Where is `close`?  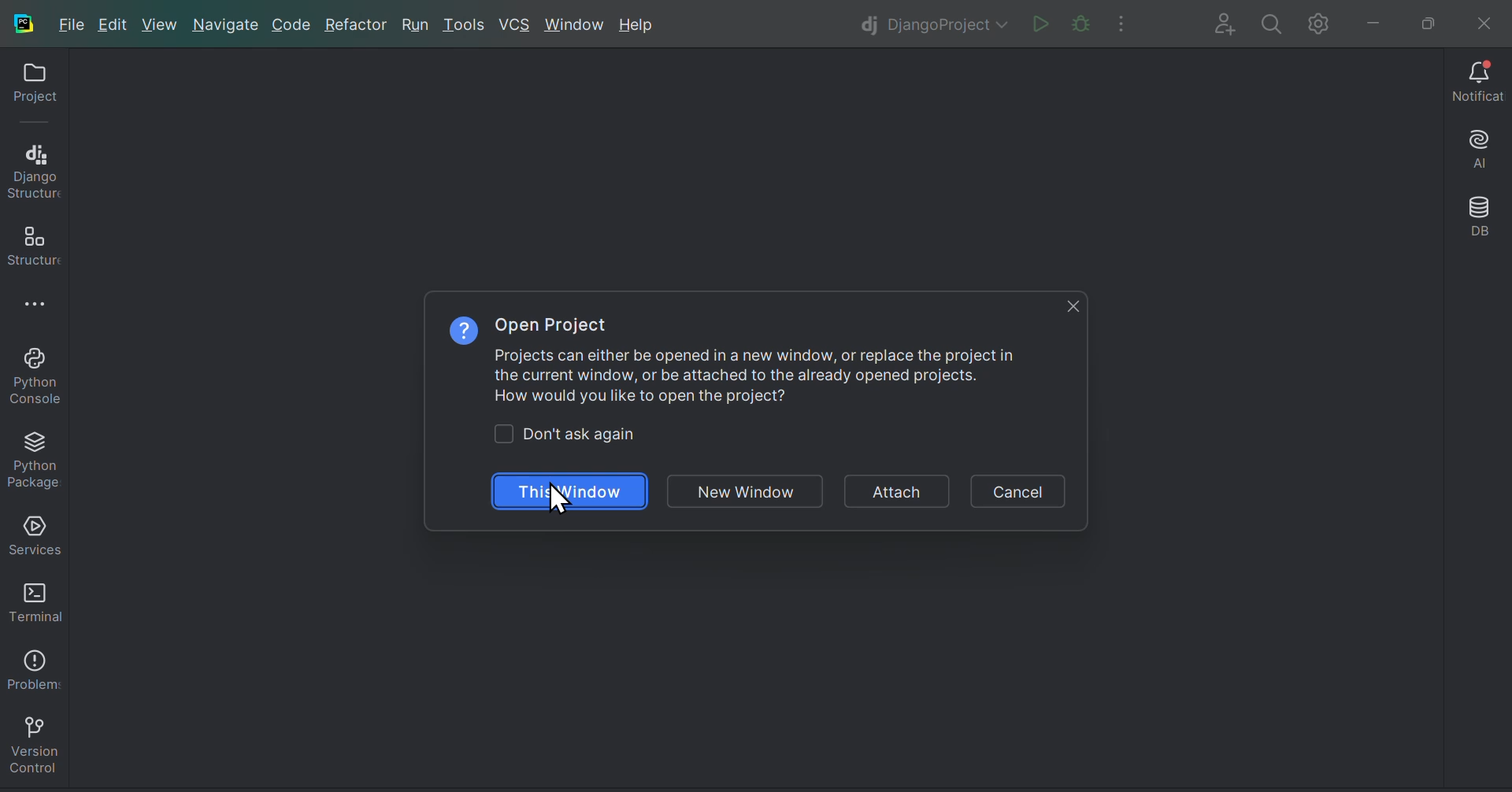
close is located at coordinates (1069, 306).